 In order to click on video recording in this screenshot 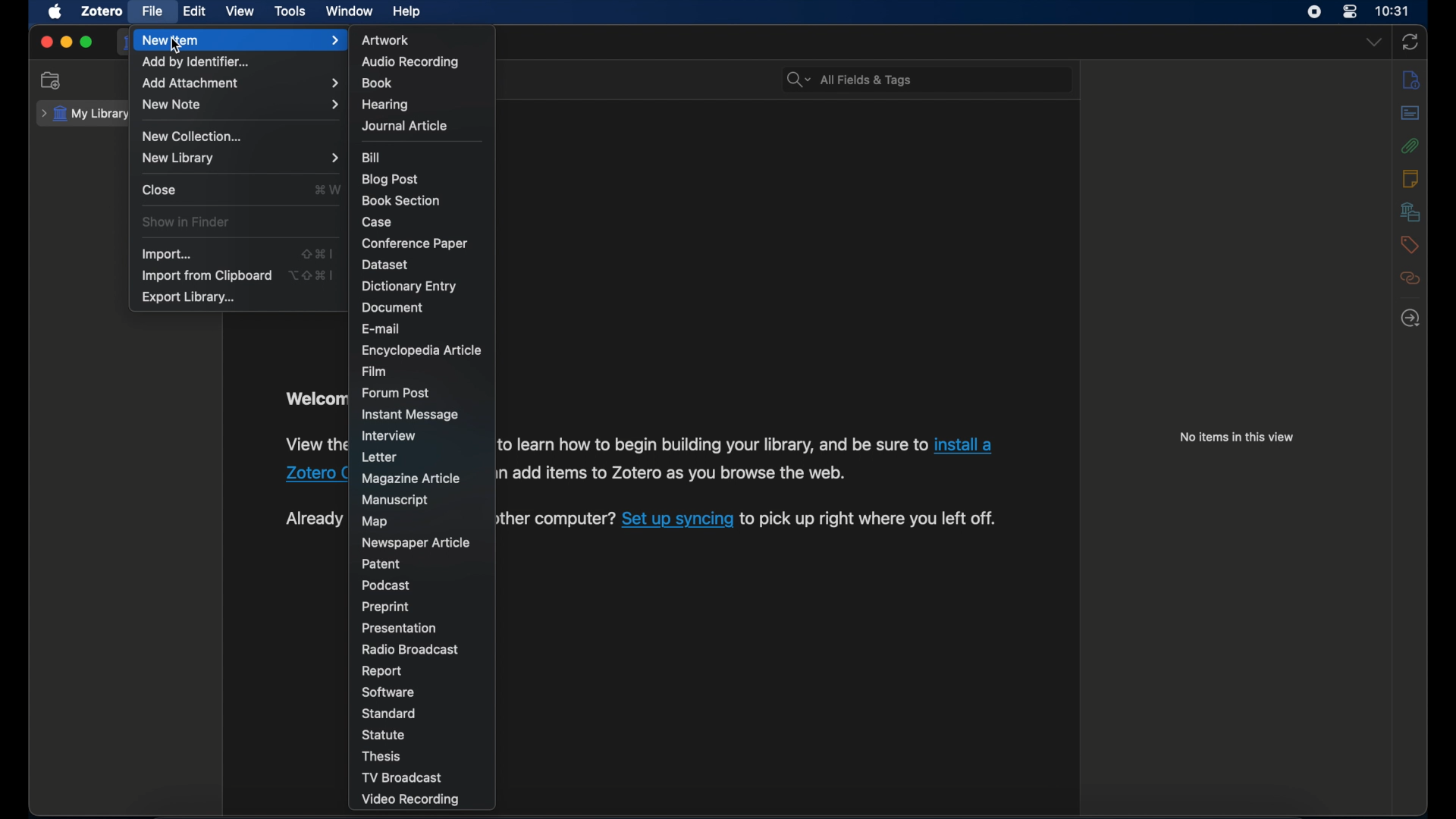, I will do `click(413, 800)`.